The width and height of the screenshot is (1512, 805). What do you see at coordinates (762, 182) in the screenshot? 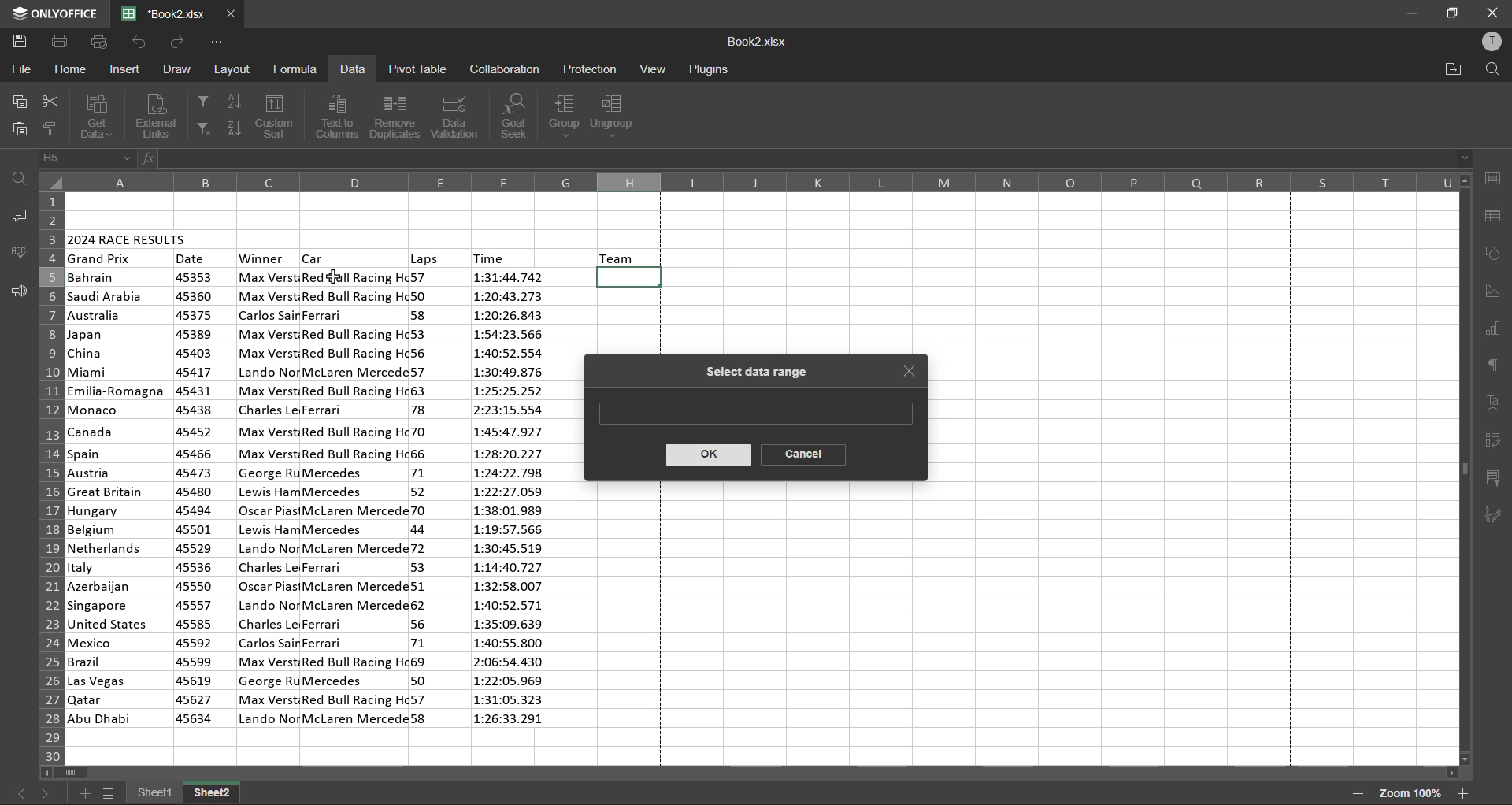
I see `column names` at bounding box center [762, 182].